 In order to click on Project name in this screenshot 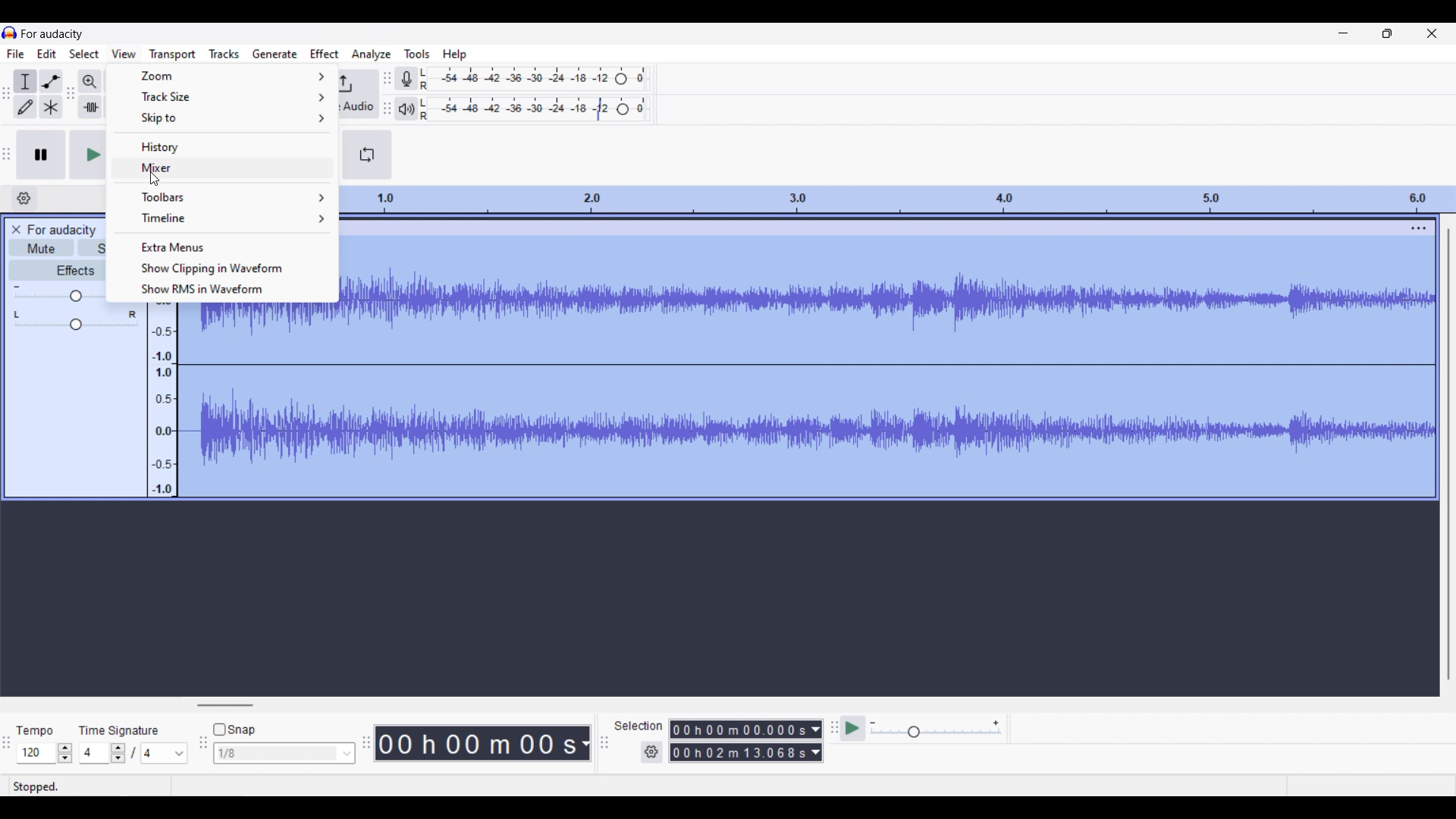, I will do `click(61, 231)`.